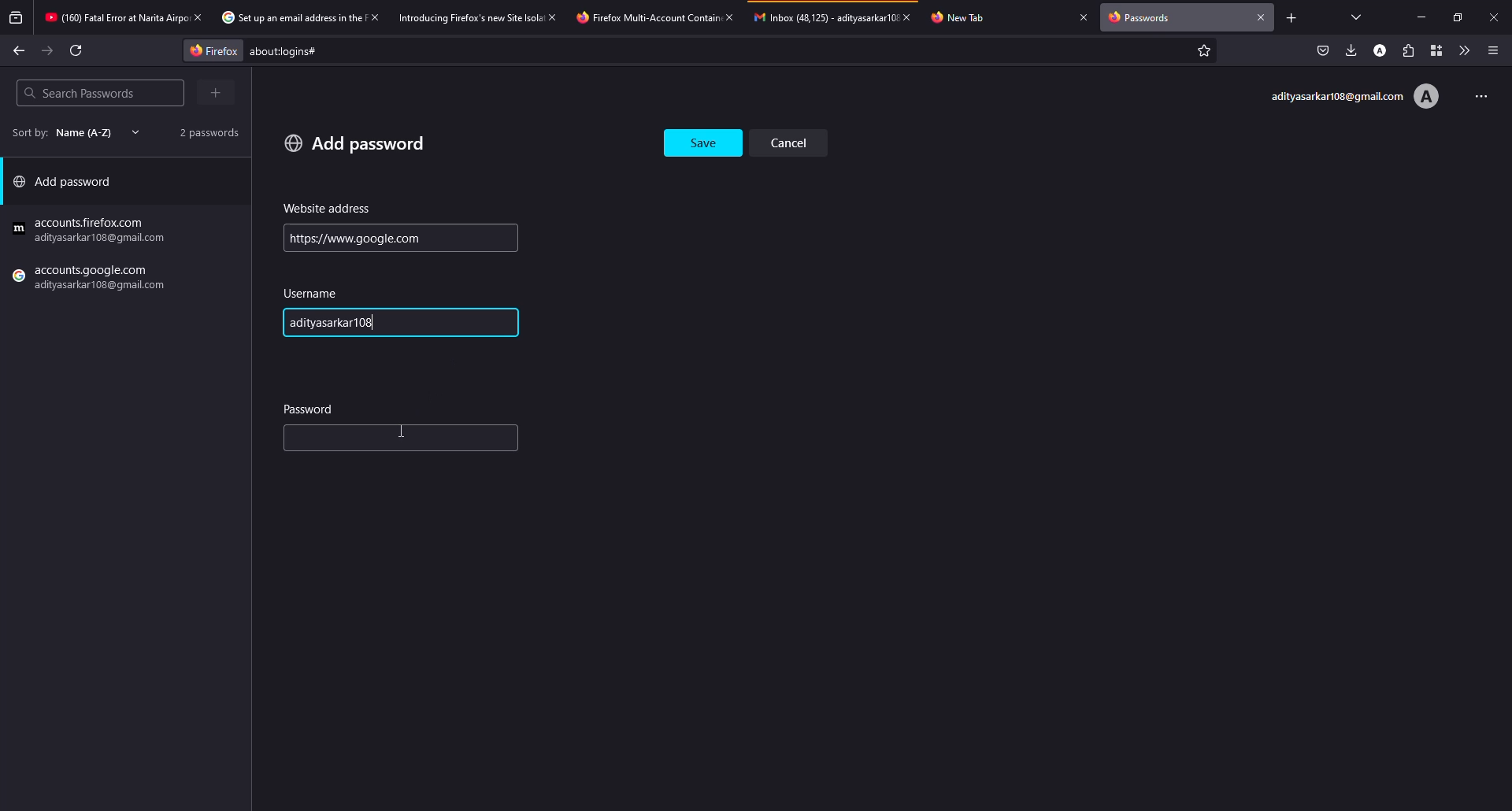 The image size is (1512, 811). Describe the element at coordinates (209, 50) in the screenshot. I see `firefox` at that location.